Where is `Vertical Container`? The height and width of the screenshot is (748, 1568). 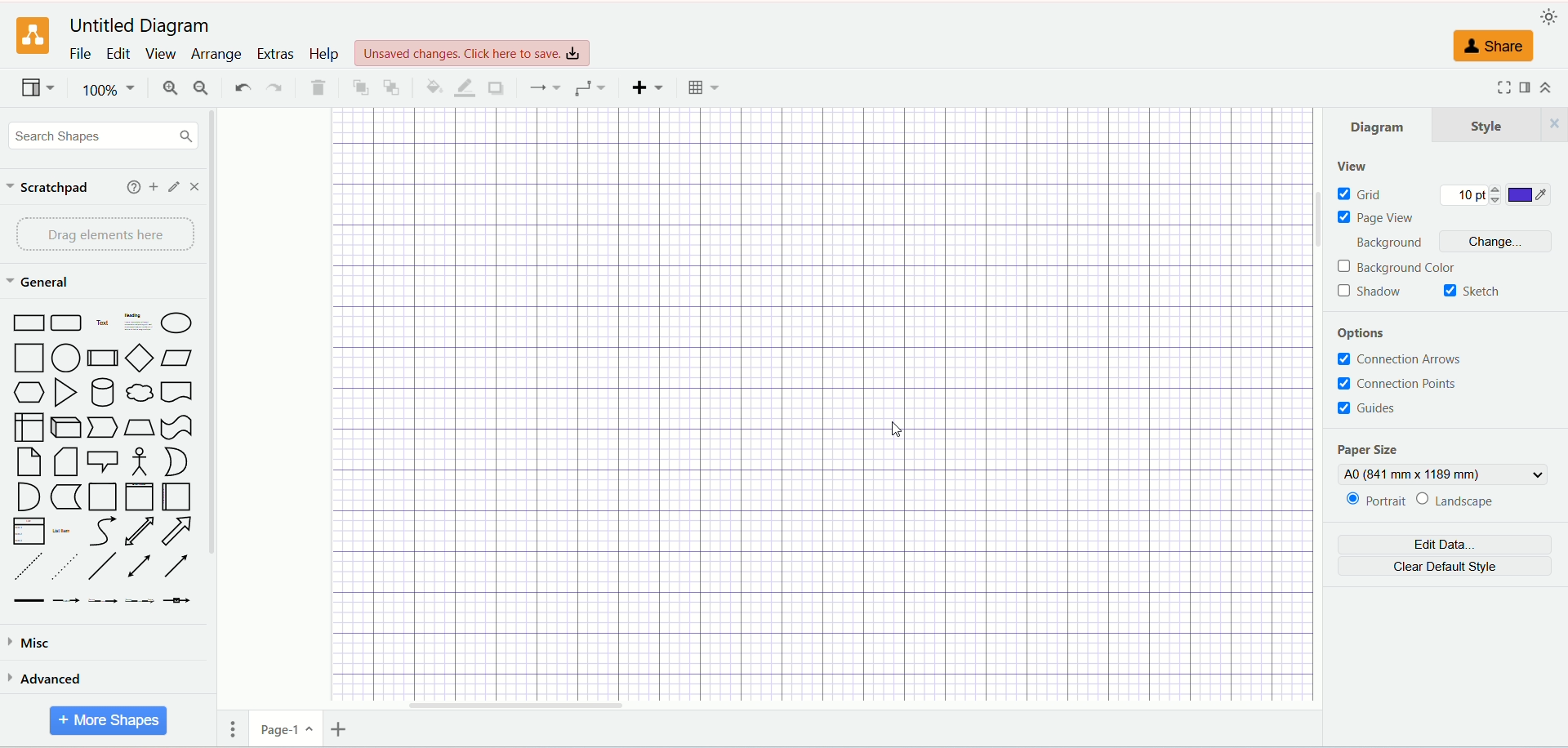 Vertical Container is located at coordinates (139, 497).